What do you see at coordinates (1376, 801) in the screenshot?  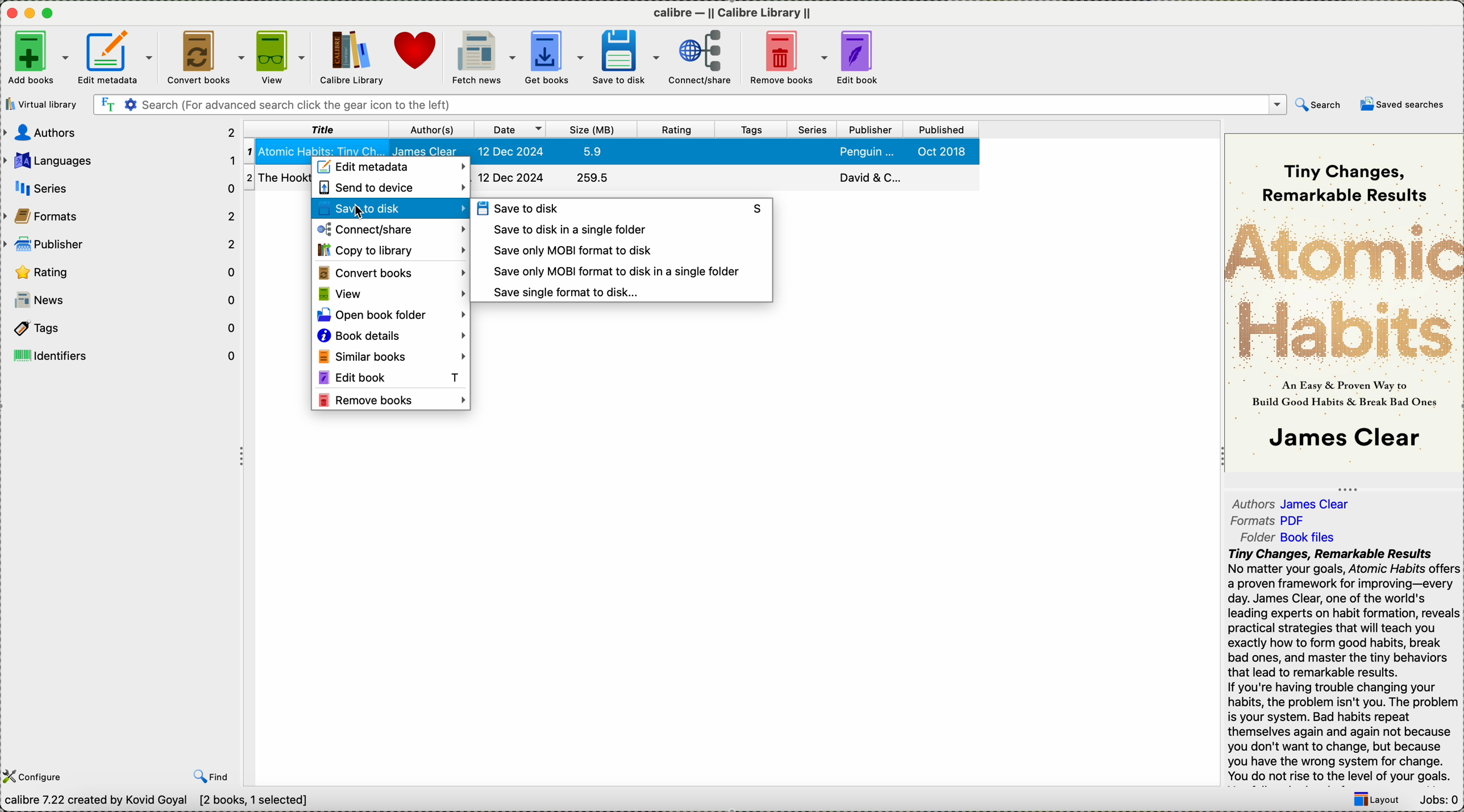 I see `layout` at bounding box center [1376, 801].